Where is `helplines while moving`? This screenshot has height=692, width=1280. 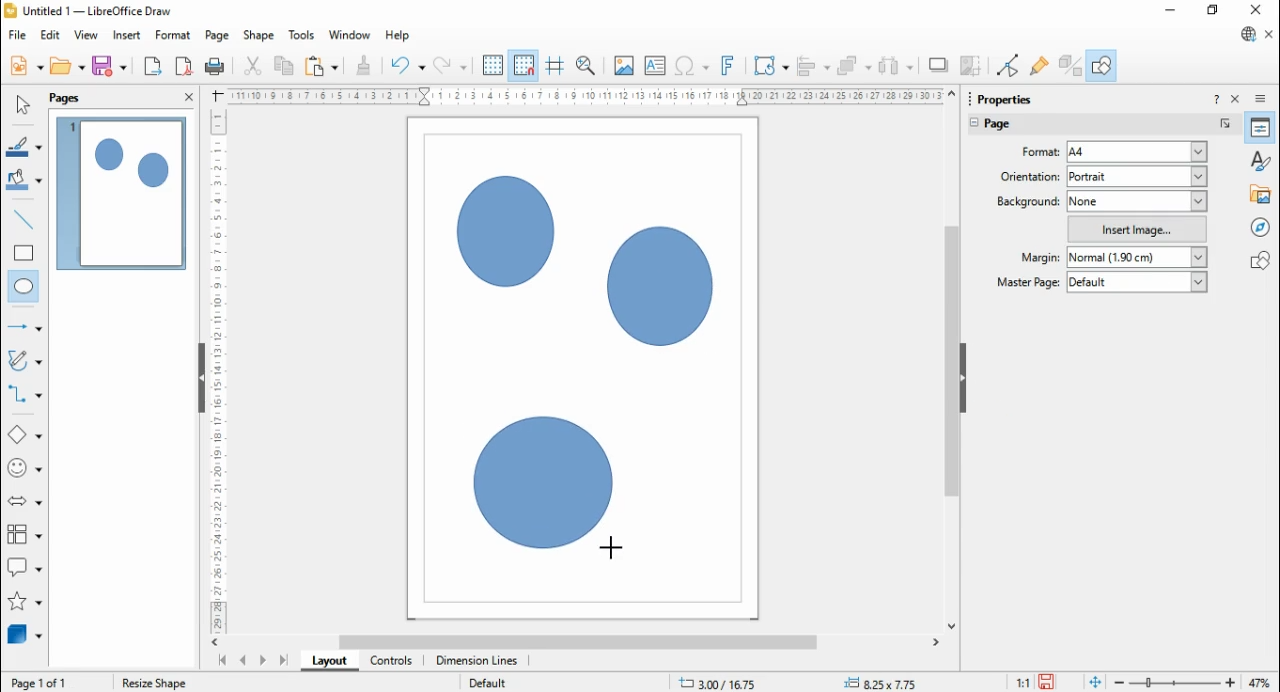
helplines while moving is located at coordinates (555, 66).